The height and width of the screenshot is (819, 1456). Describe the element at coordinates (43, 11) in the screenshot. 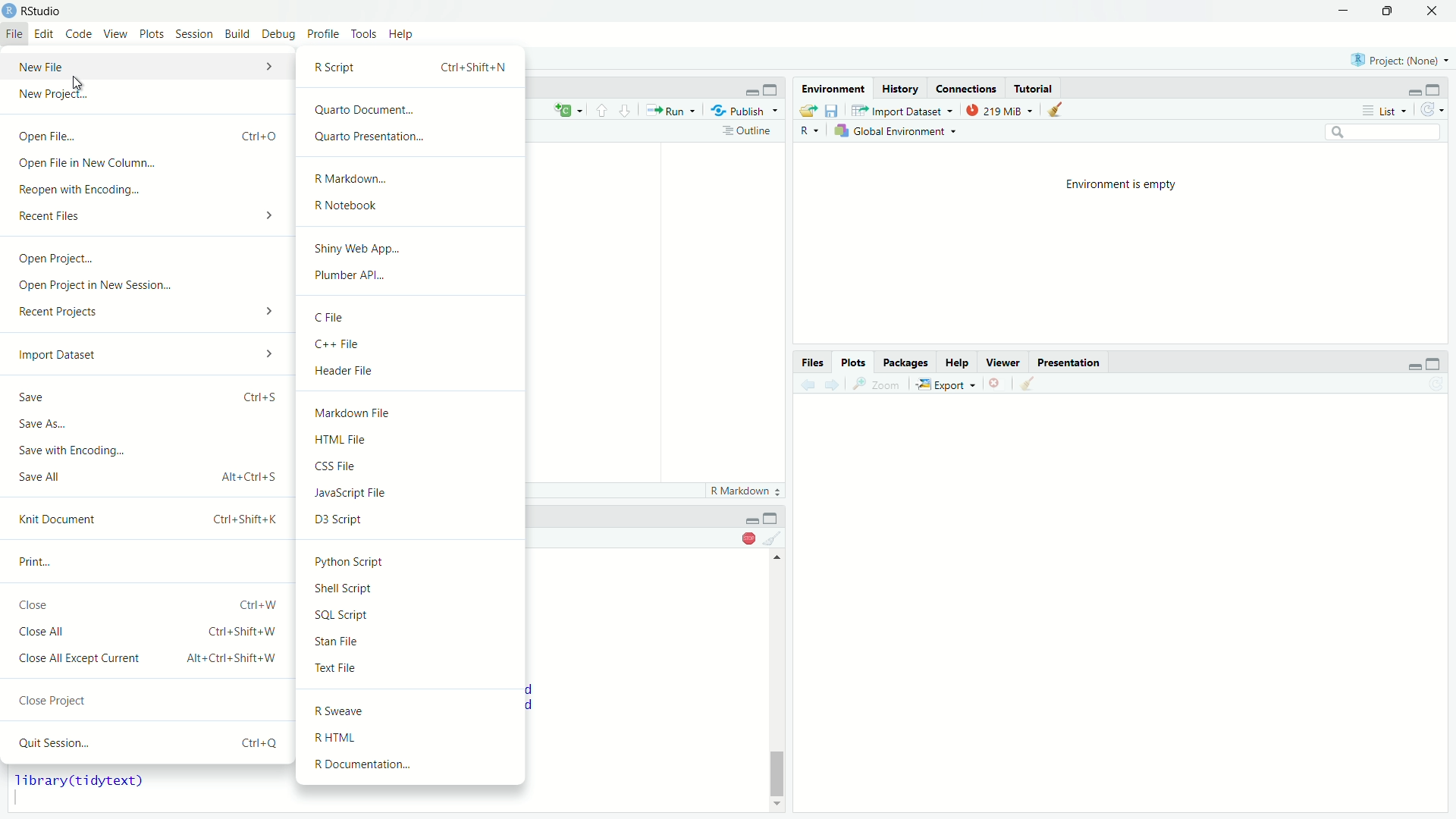

I see `RStudio` at that location.